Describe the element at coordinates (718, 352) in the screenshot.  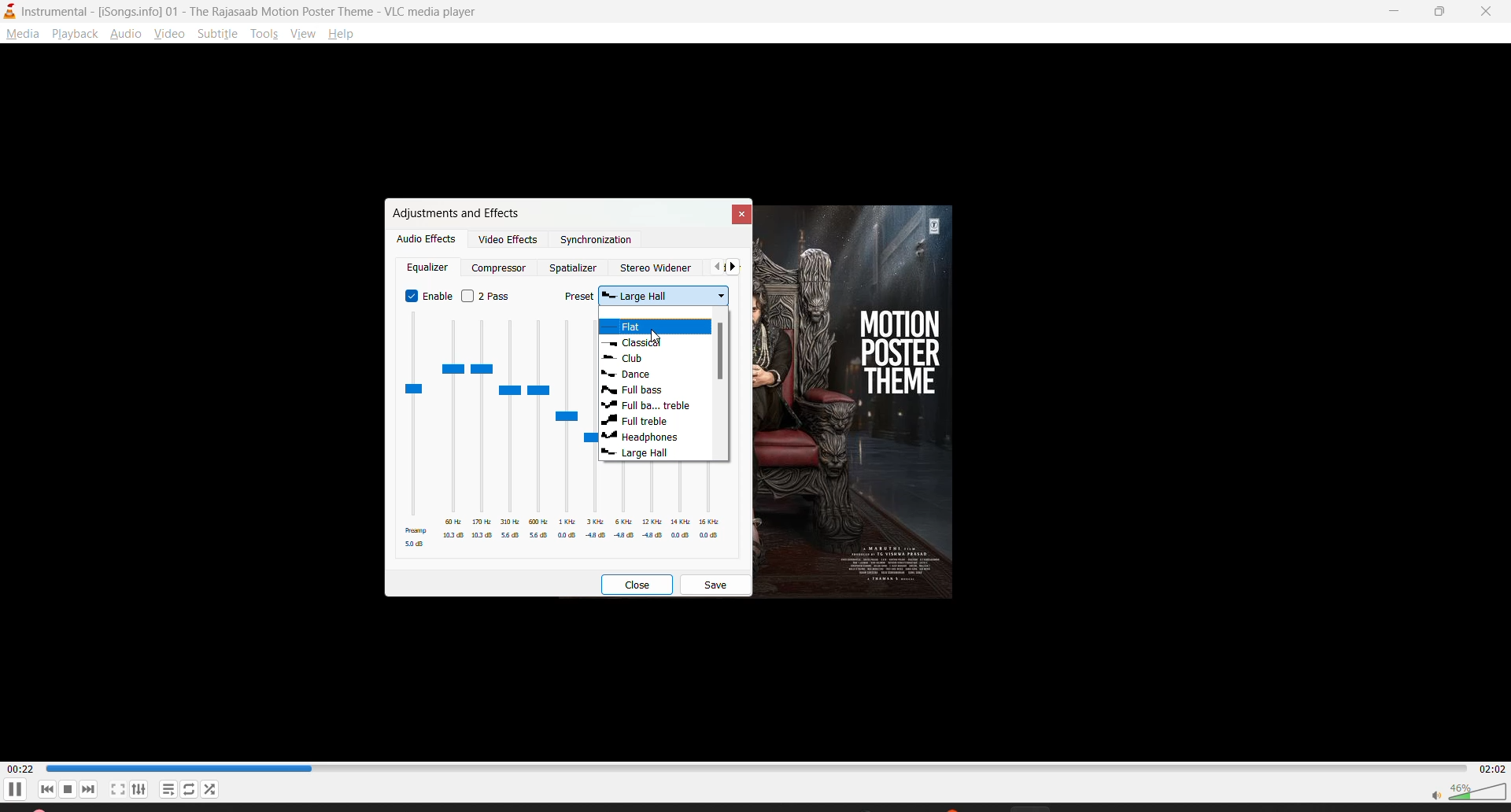
I see `vertical scroll bar` at that location.